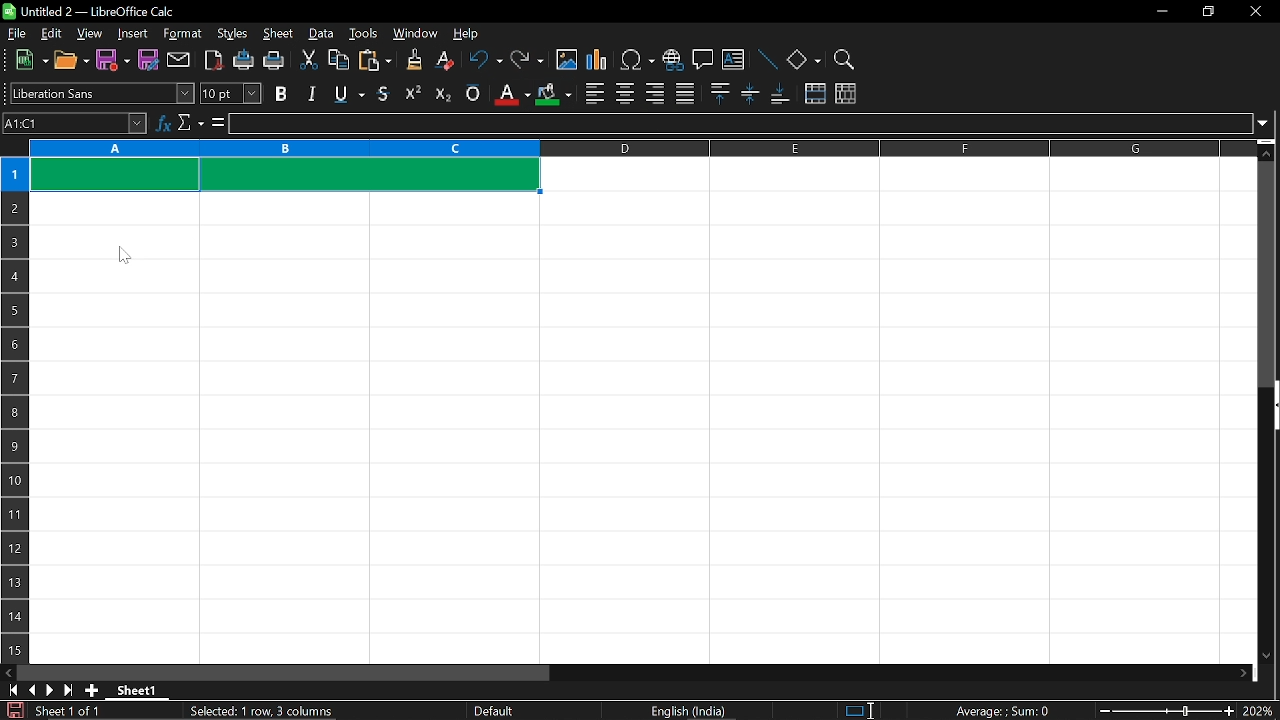 This screenshot has height=720, width=1280. Describe the element at coordinates (594, 92) in the screenshot. I see `align left` at that location.